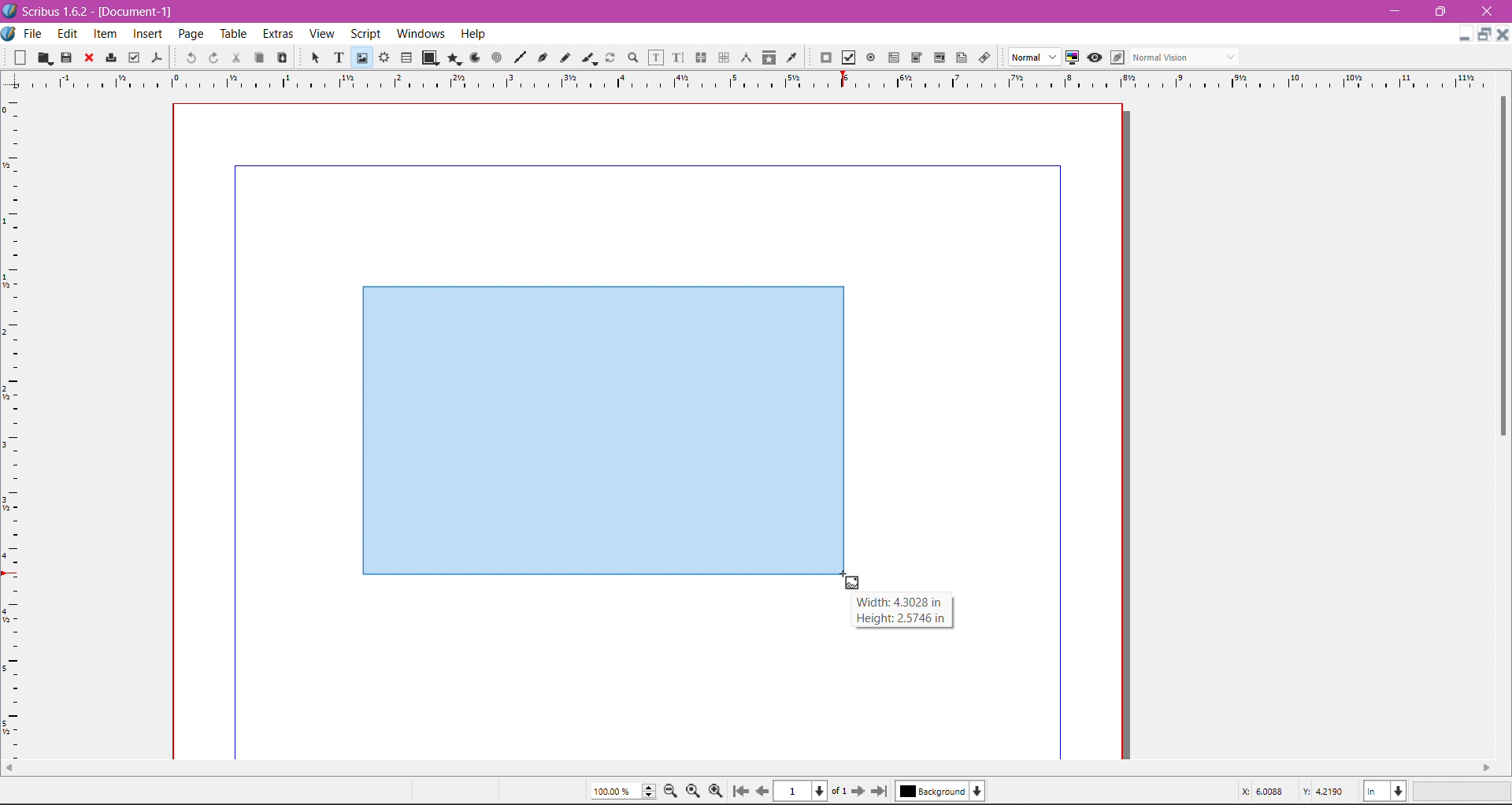 This screenshot has height=805, width=1512. What do you see at coordinates (1261, 791) in the screenshot?
I see `` at bounding box center [1261, 791].